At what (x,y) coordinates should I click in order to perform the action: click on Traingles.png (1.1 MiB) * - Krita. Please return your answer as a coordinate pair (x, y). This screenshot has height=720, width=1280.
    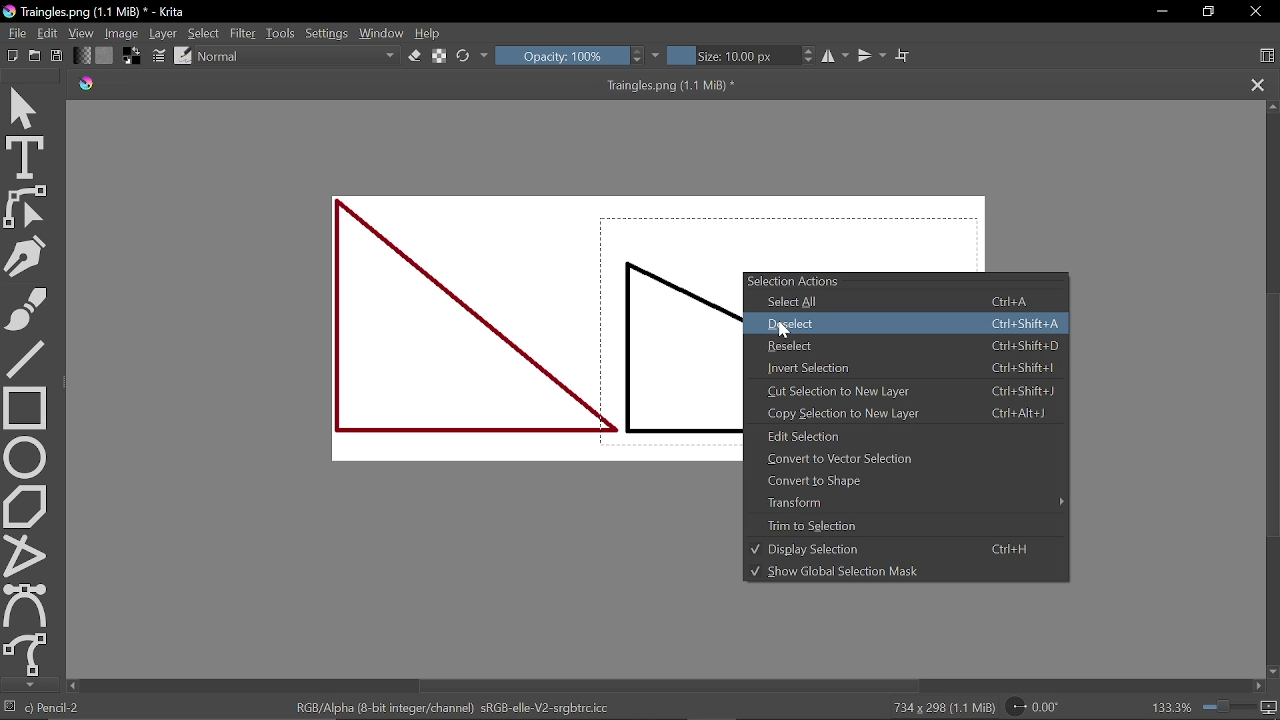
    Looking at the image, I should click on (100, 12).